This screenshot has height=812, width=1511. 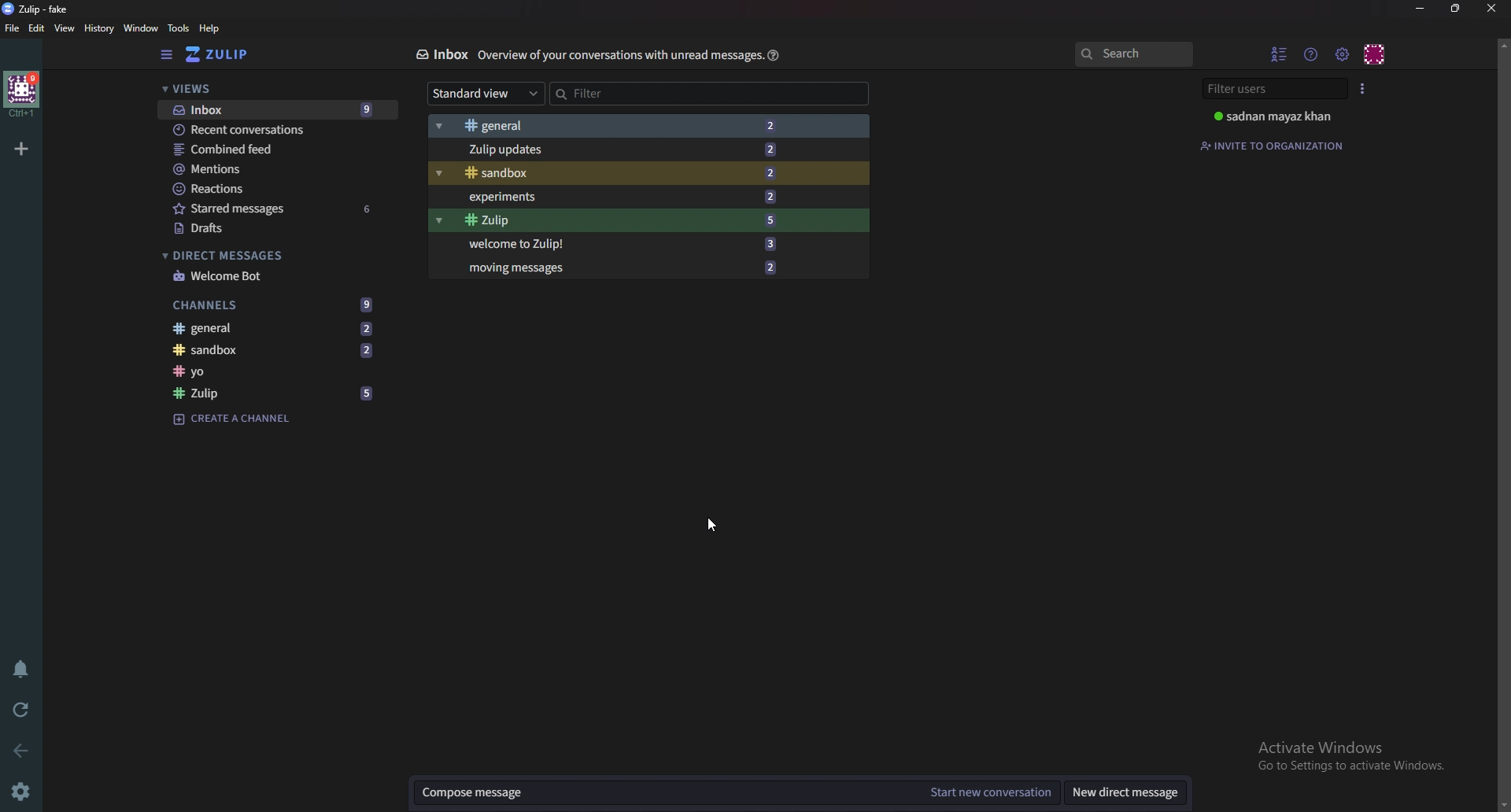 What do you see at coordinates (242, 421) in the screenshot?
I see `Create a channel` at bounding box center [242, 421].